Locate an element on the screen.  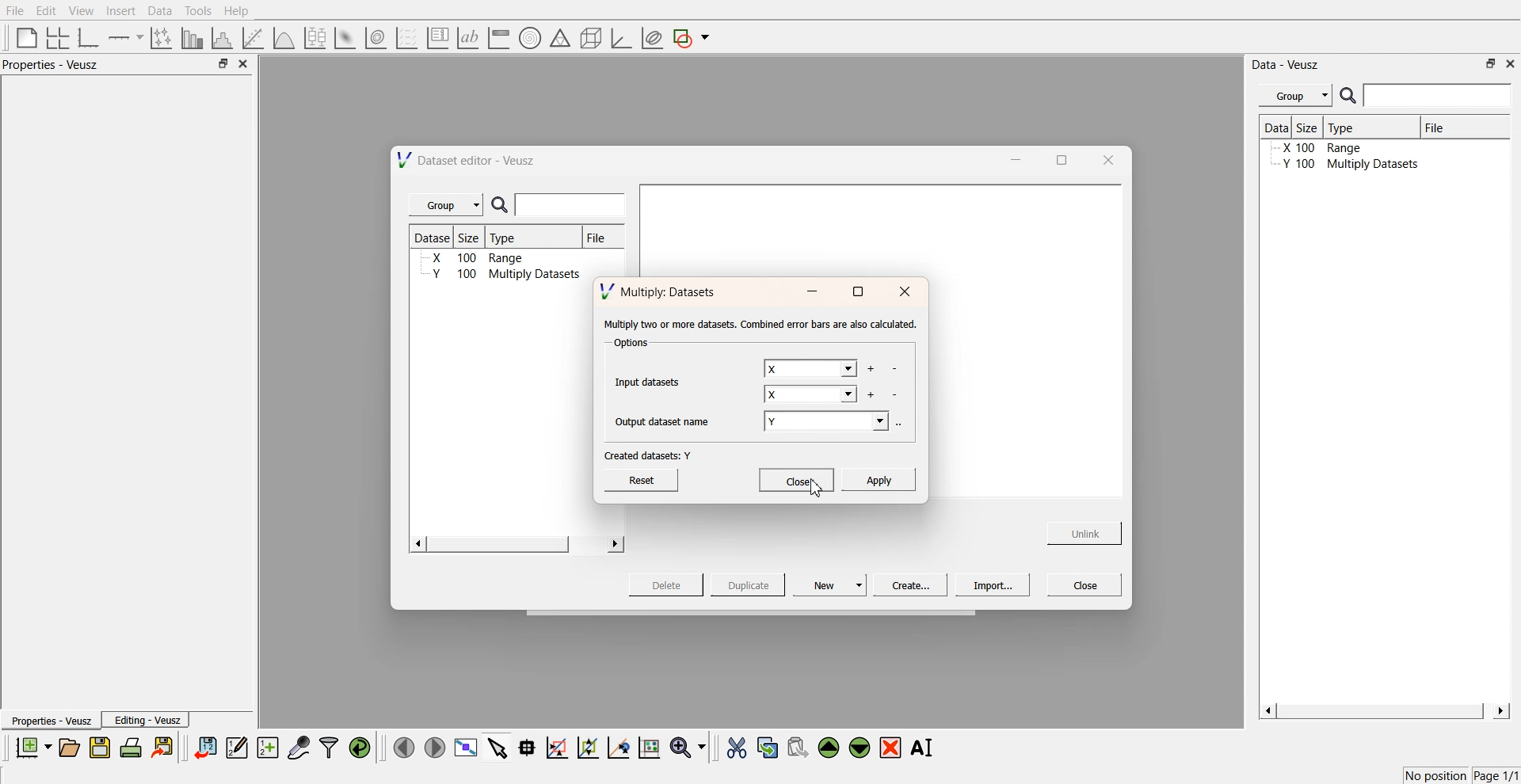
polar graph is located at coordinates (529, 40).